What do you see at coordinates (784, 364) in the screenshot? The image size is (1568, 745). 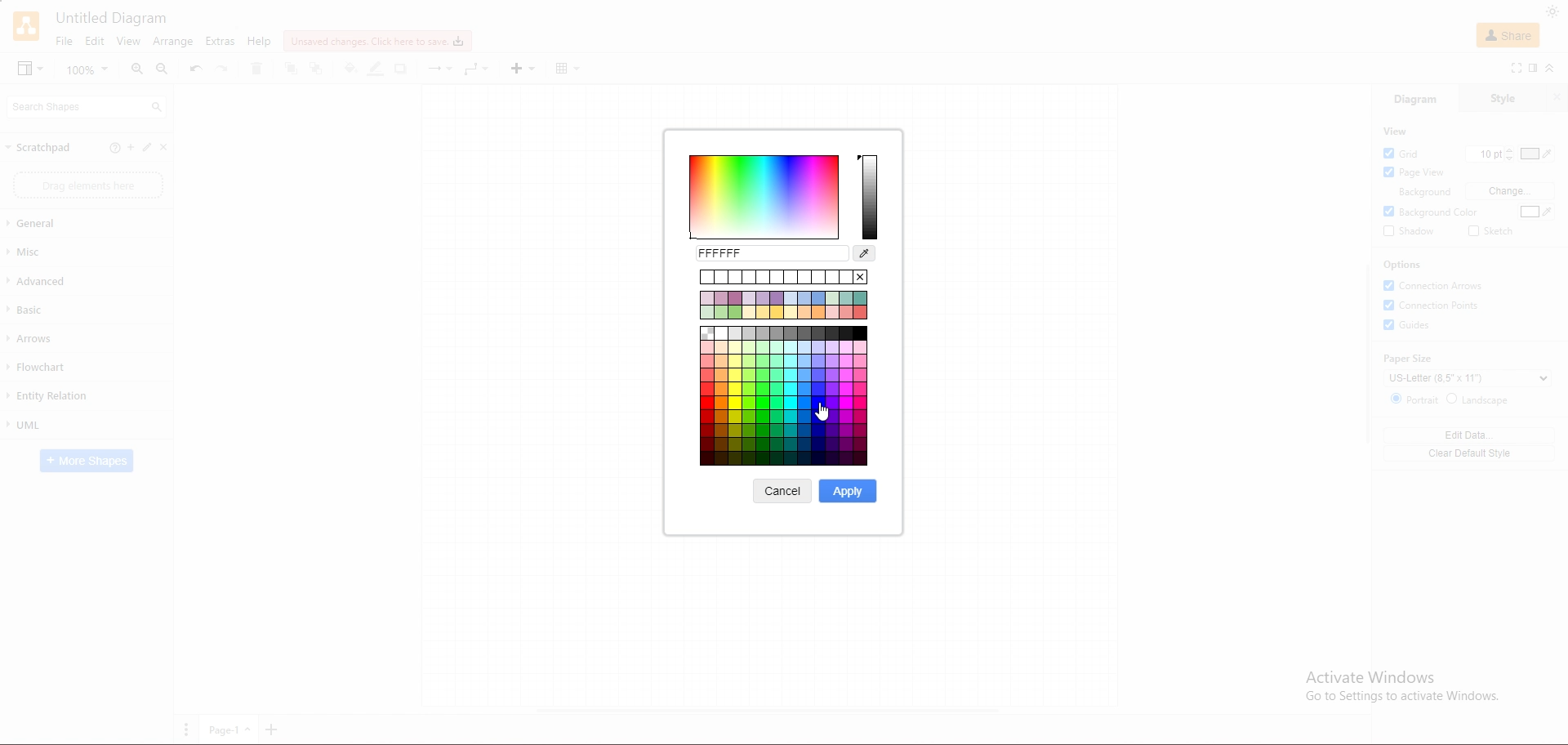 I see `color options` at bounding box center [784, 364].